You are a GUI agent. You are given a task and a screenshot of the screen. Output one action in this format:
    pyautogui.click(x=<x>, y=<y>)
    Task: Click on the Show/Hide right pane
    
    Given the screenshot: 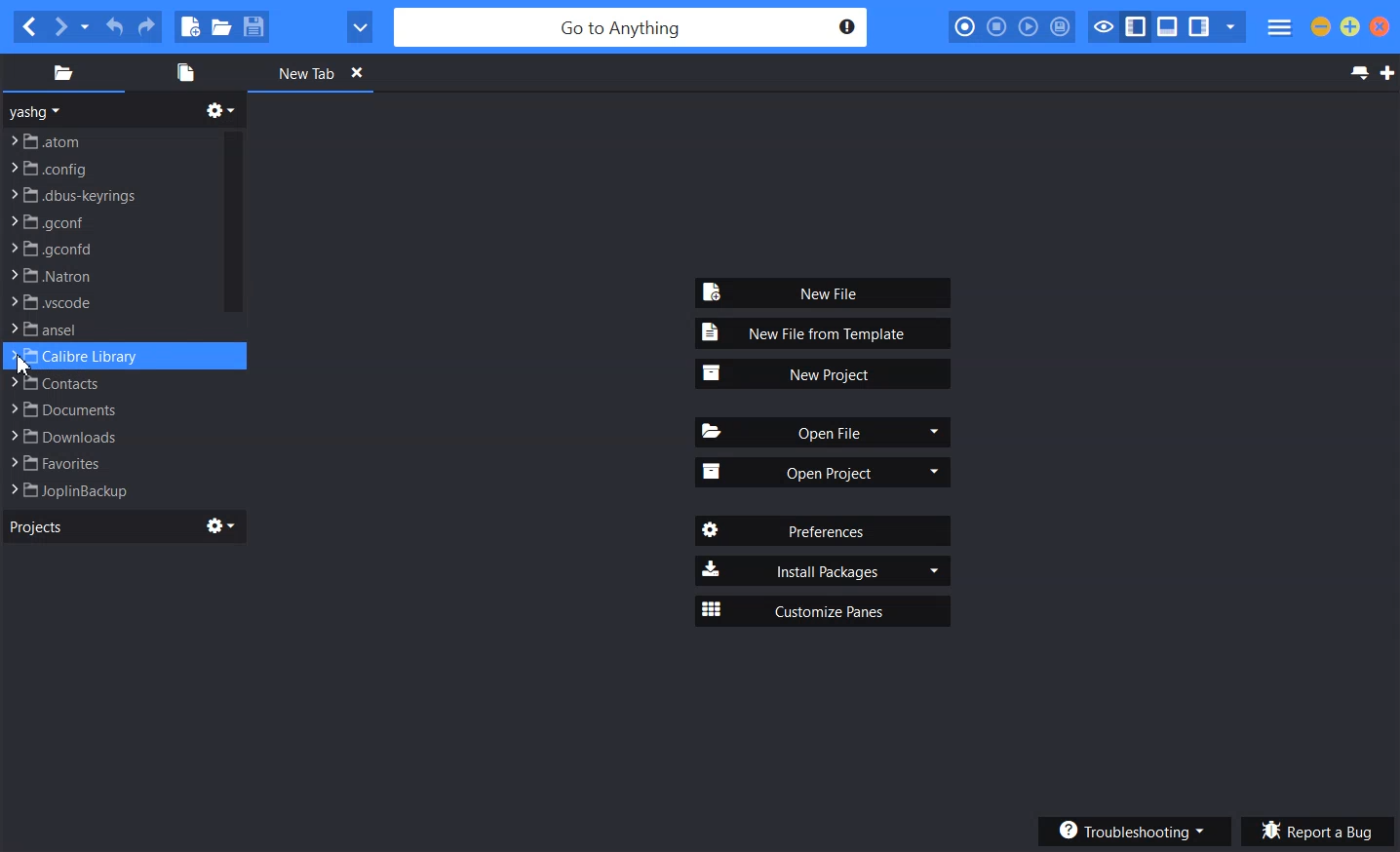 What is the action you would take?
    pyautogui.click(x=1199, y=27)
    